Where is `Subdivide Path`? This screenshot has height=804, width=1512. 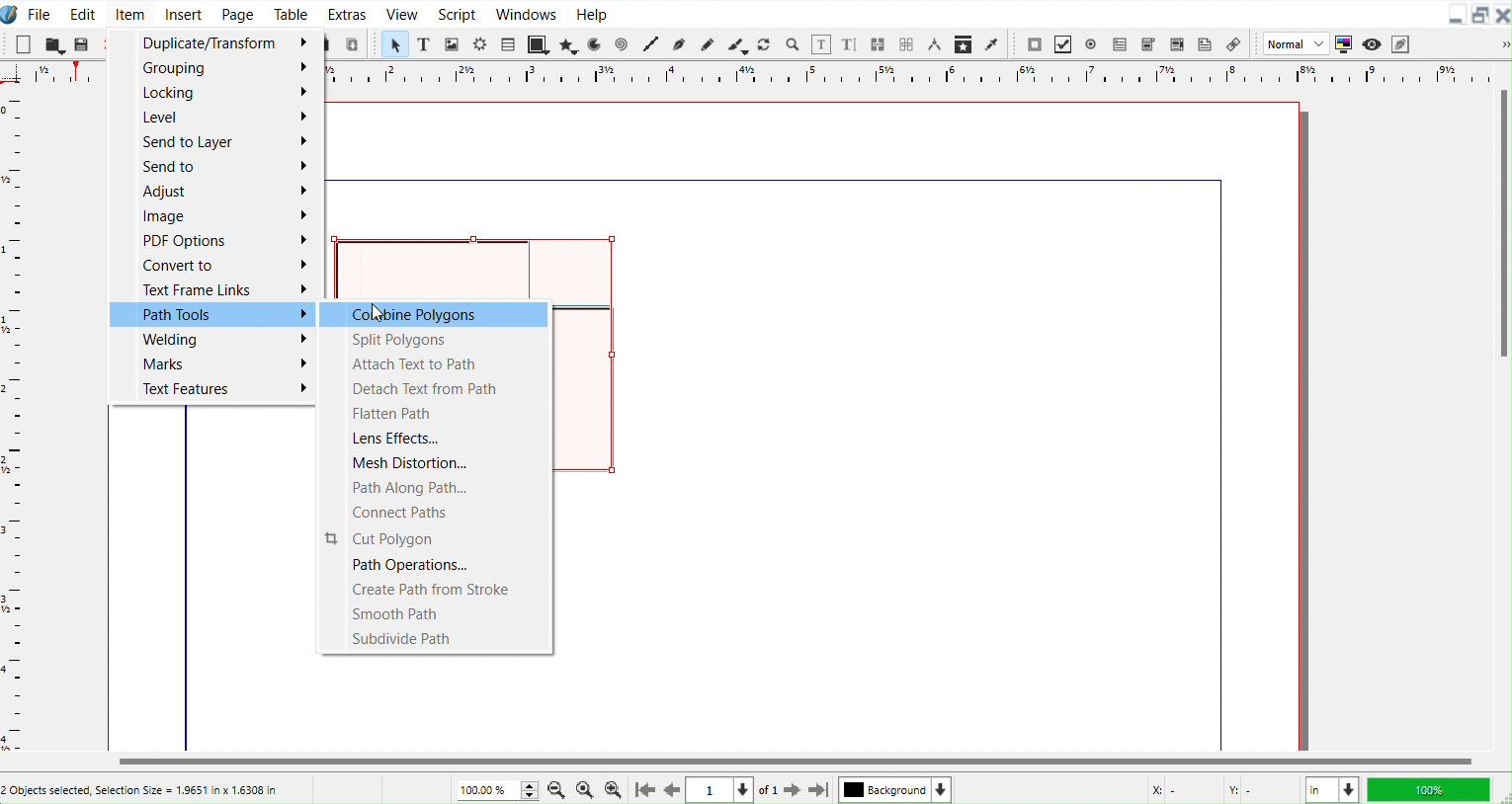
Subdivide Path is located at coordinates (437, 640).